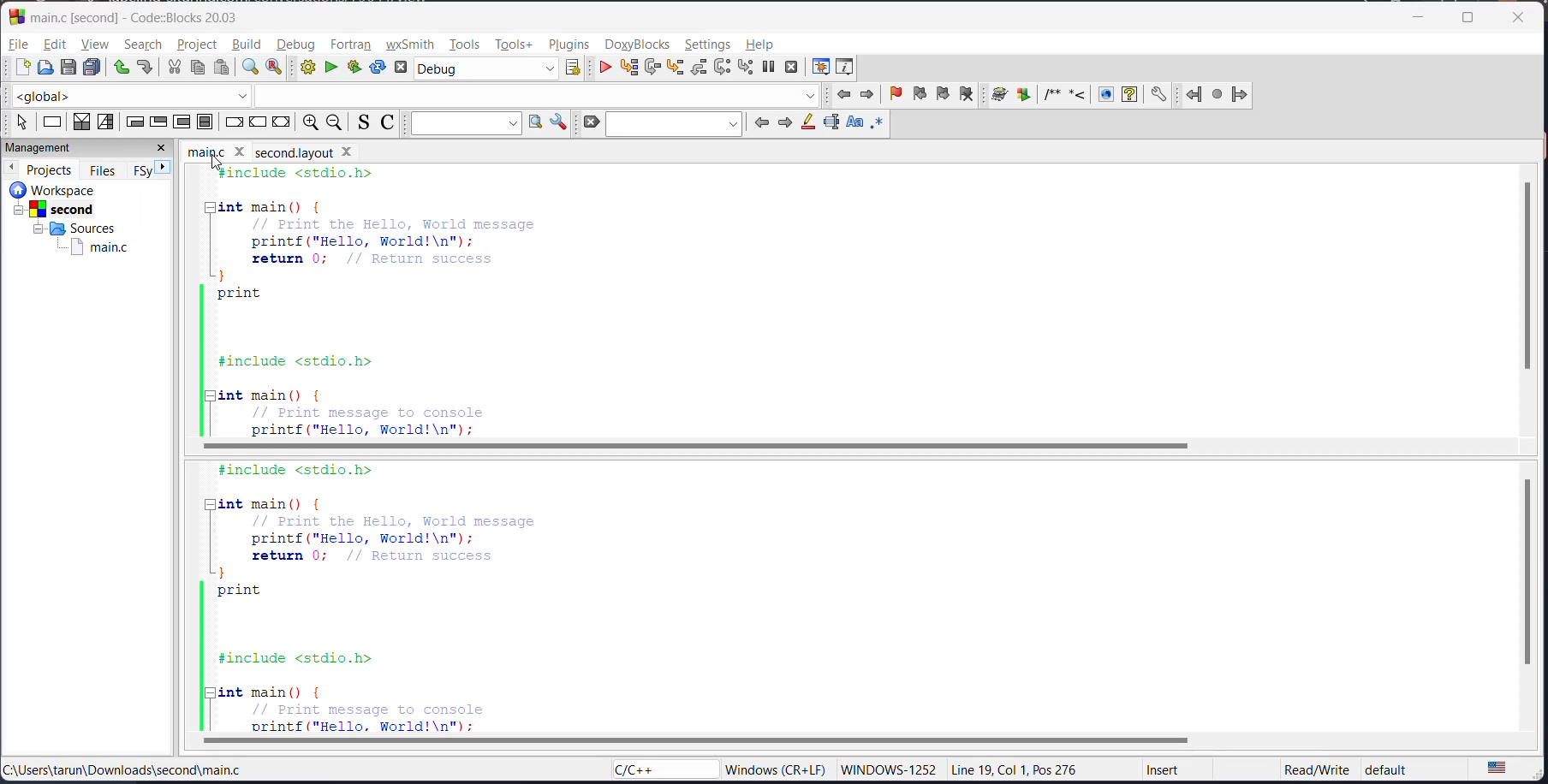 The image size is (1548, 784). Describe the element at coordinates (571, 43) in the screenshot. I see `plugins` at that location.